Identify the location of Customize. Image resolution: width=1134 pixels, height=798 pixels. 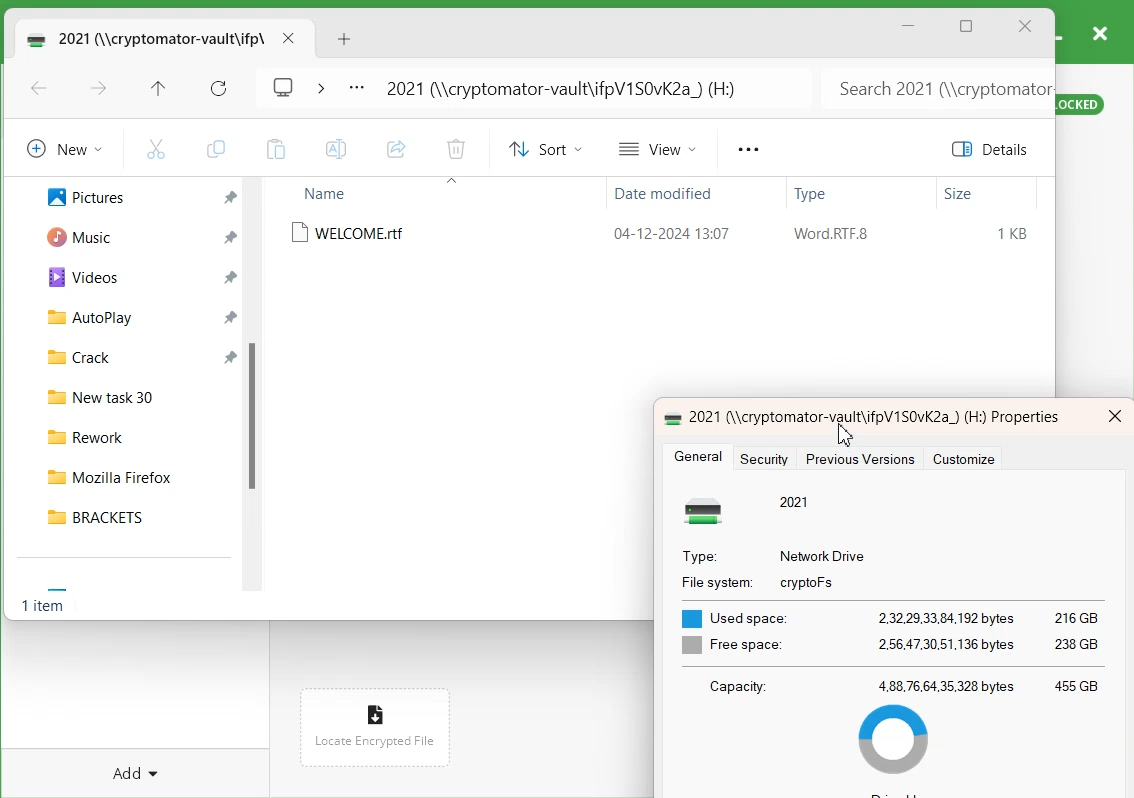
(969, 460).